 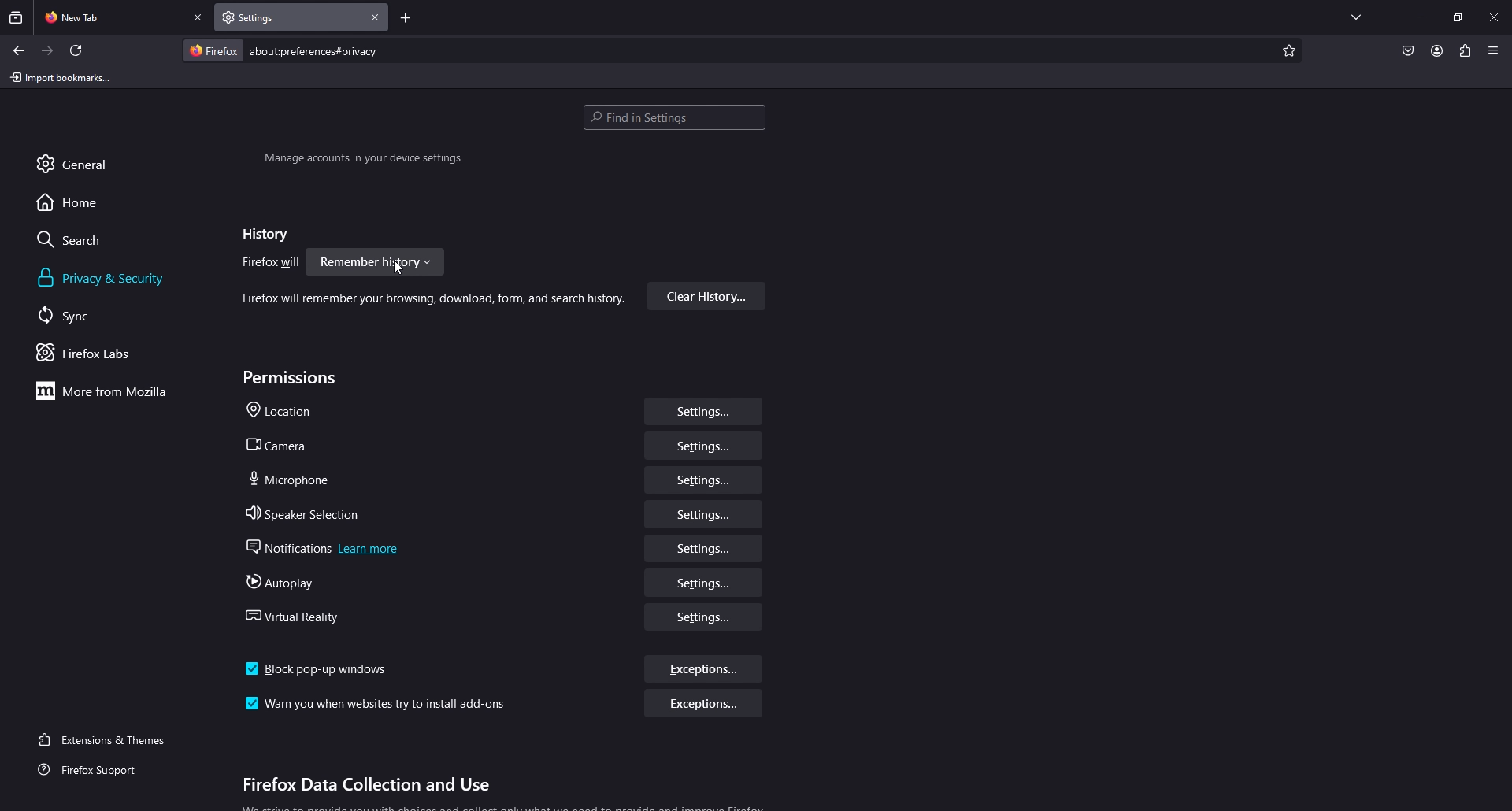 What do you see at coordinates (312, 50) in the screenshot?
I see `search bar: about preferences#privacy` at bounding box center [312, 50].